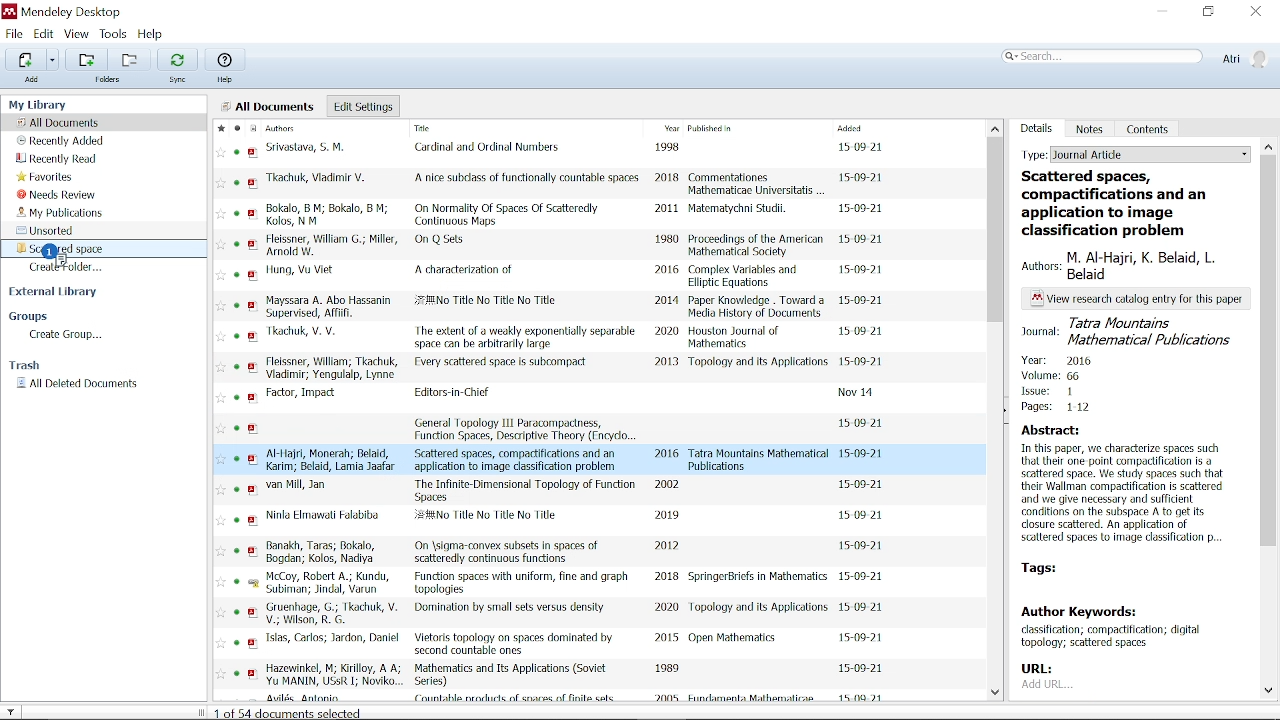  Describe the element at coordinates (53, 60) in the screenshot. I see `Add files options` at that location.